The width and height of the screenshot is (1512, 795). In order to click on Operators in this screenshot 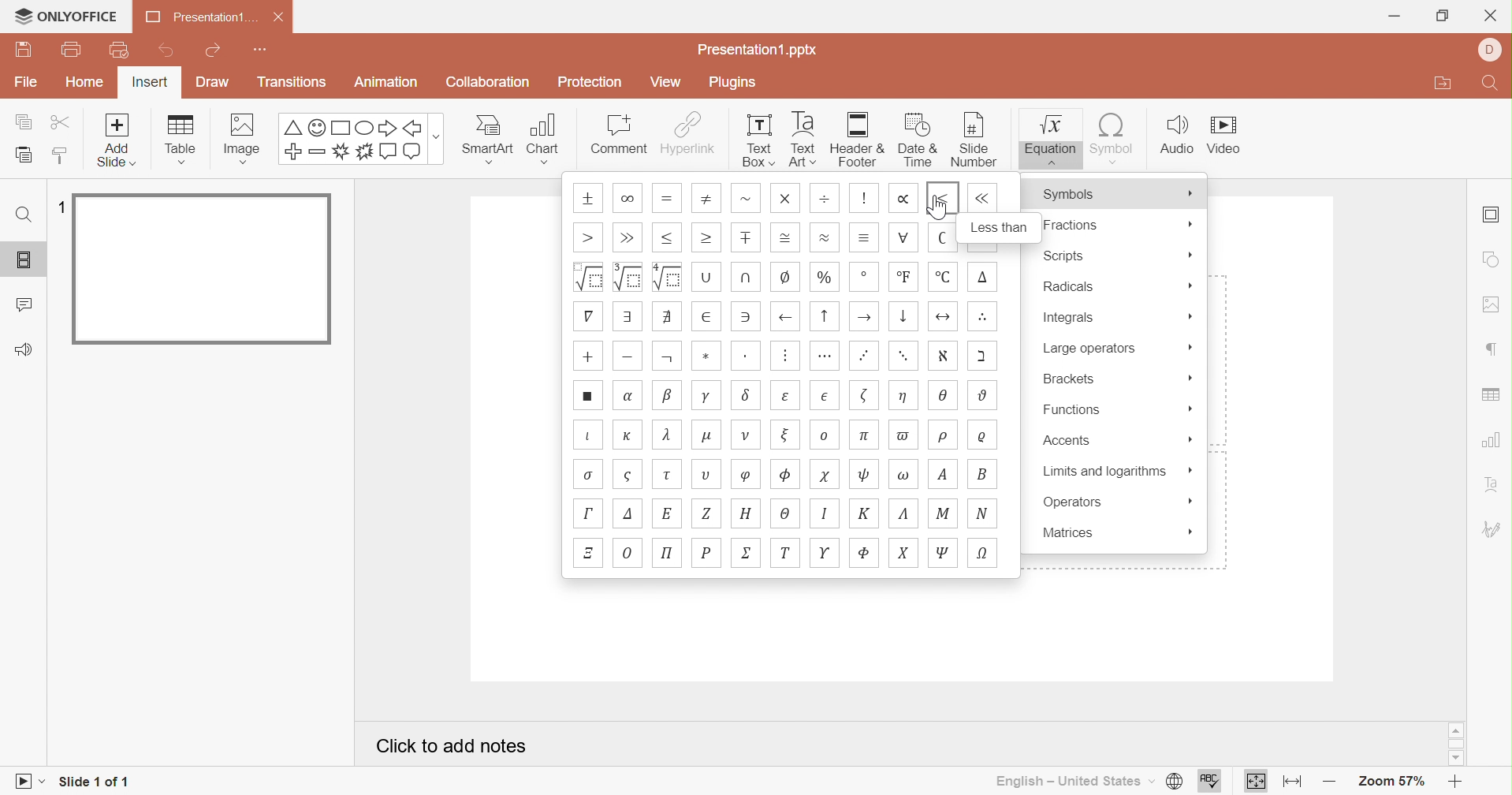, I will do `click(1116, 500)`.